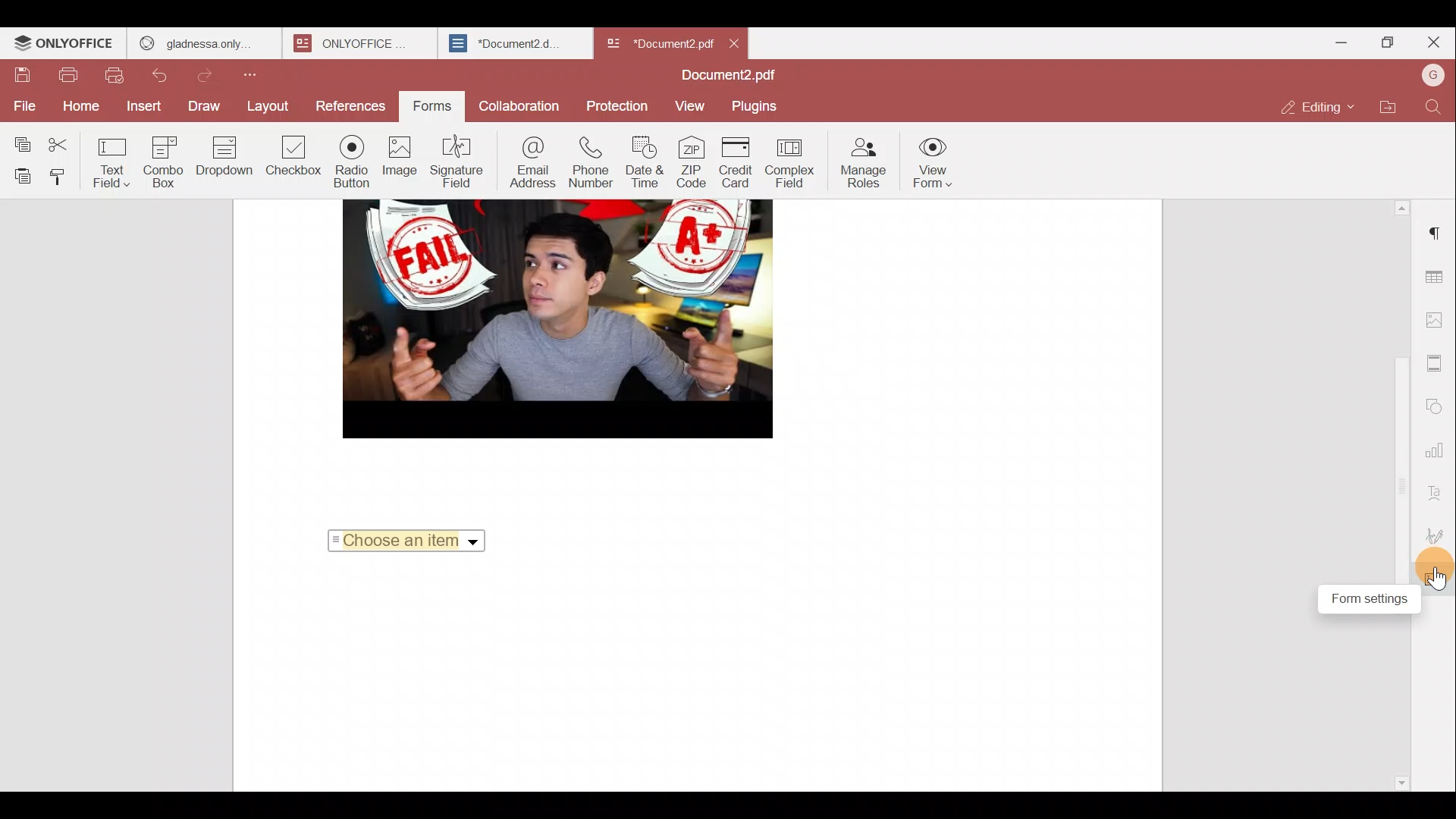 The image size is (1456, 819). What do you see at coordinates (114, 76) in the screenshot?
I see `Quick print` at bounding box center [114, 76].